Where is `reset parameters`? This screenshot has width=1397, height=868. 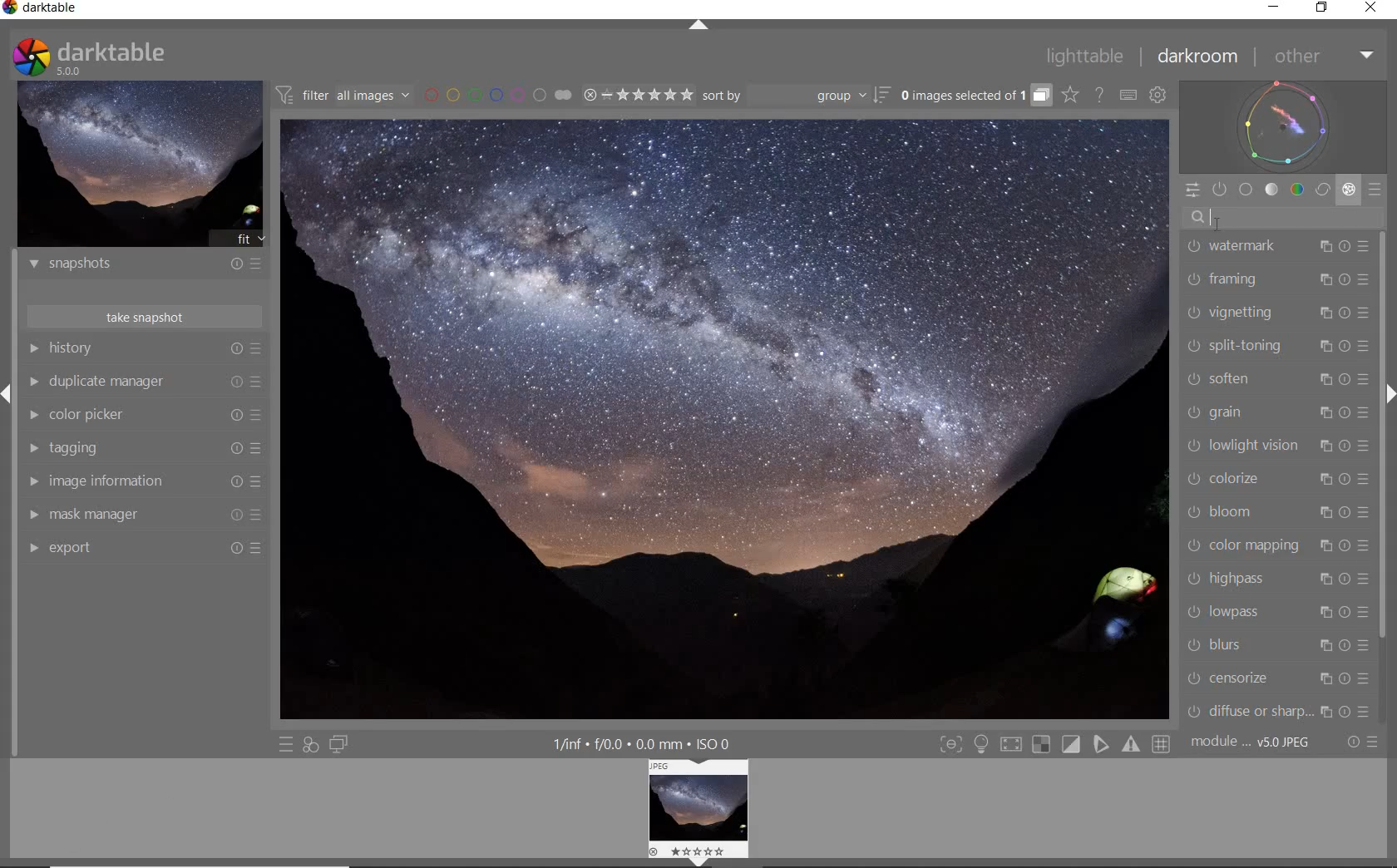 reset parameters is located at coordinates (1346, 713).